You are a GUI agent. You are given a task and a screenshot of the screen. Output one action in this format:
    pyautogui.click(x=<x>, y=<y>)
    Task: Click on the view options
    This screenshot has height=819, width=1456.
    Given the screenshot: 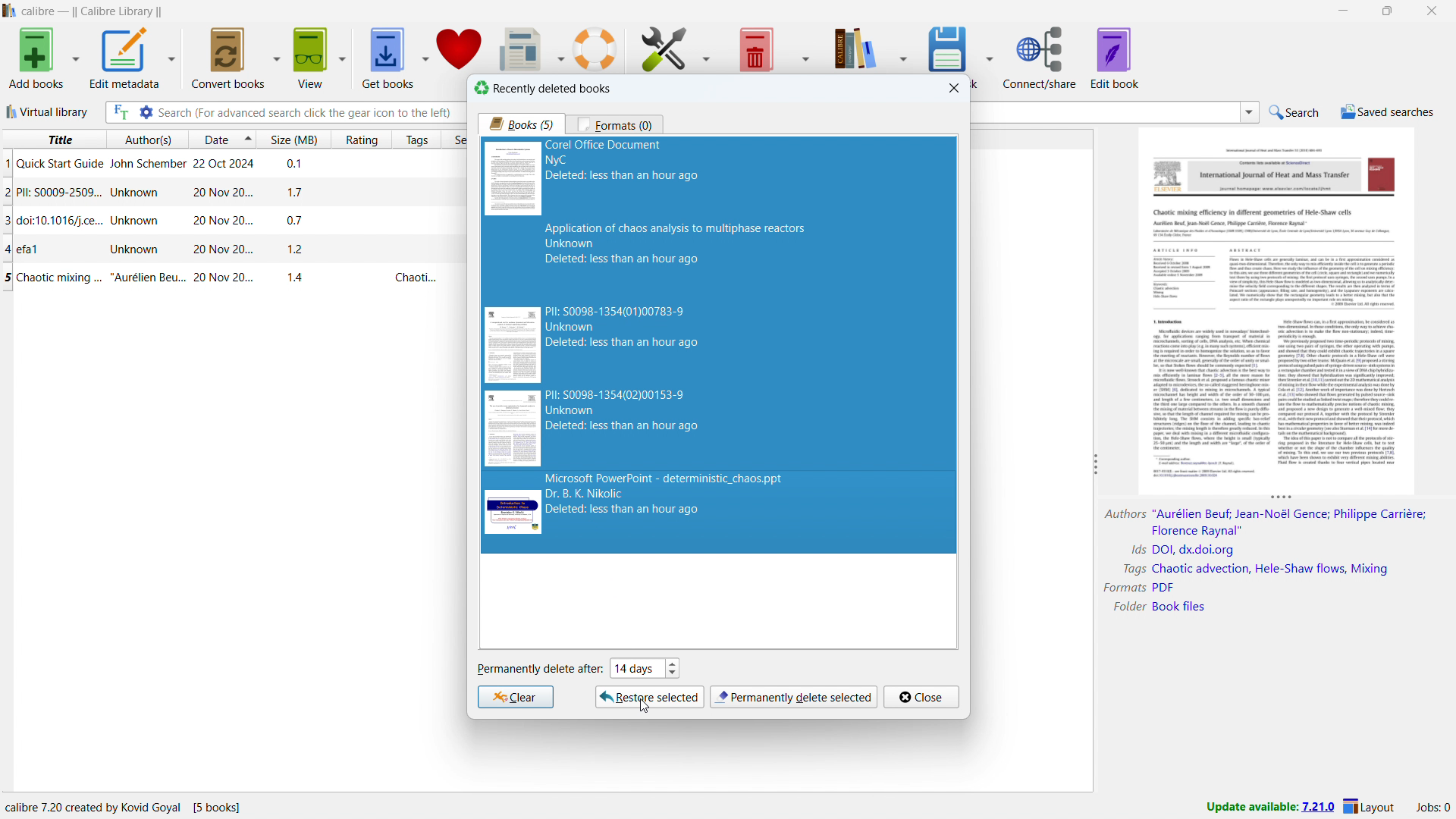 What is the action you would take?
    pyautogui.click(x=342, y=57)
    